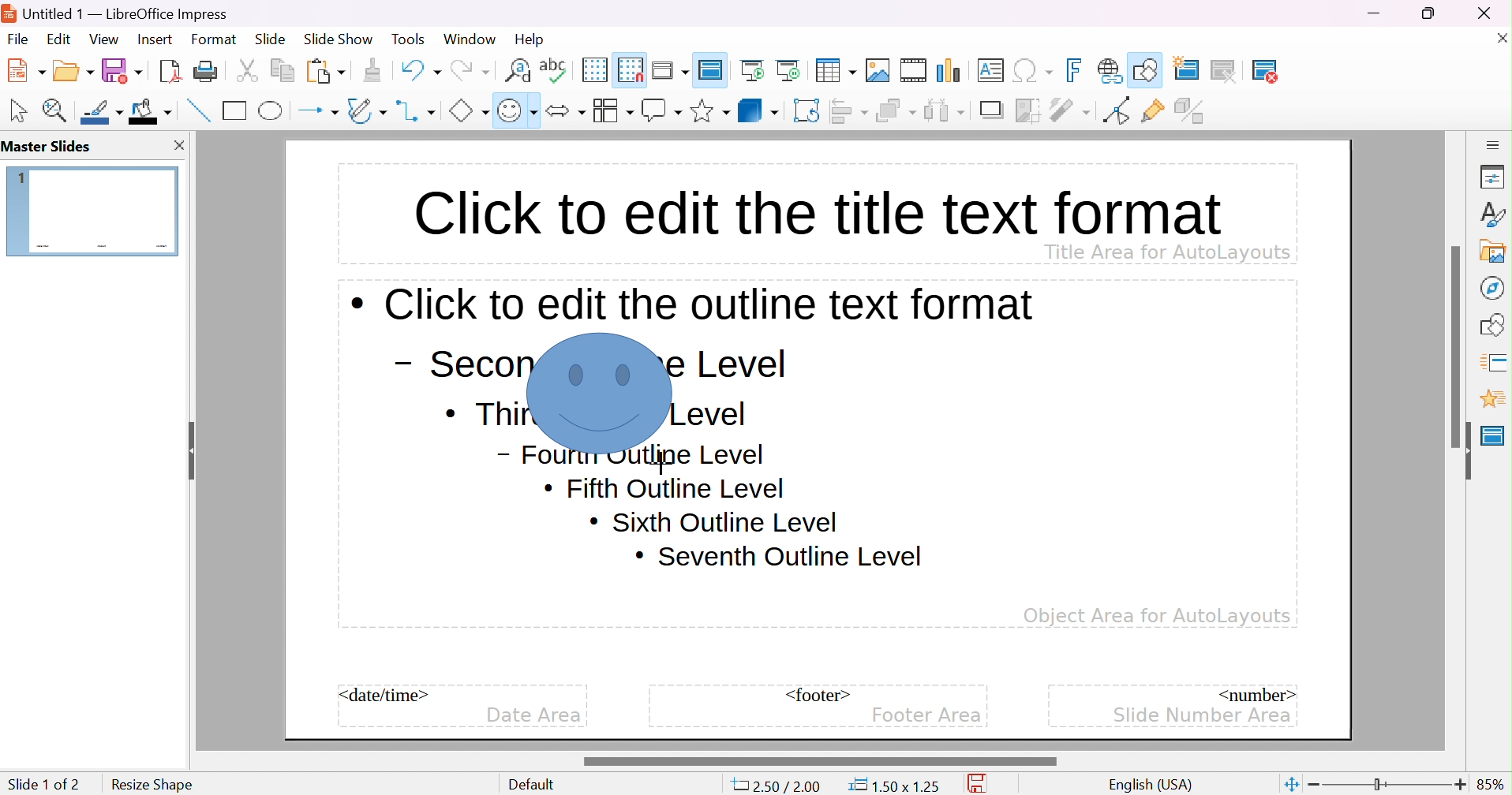 This screenshot has height=795, width=1512. What do you see at coordinates (61, 39) in the screenshot?
I see `edit` at bounding box center [61, 39].